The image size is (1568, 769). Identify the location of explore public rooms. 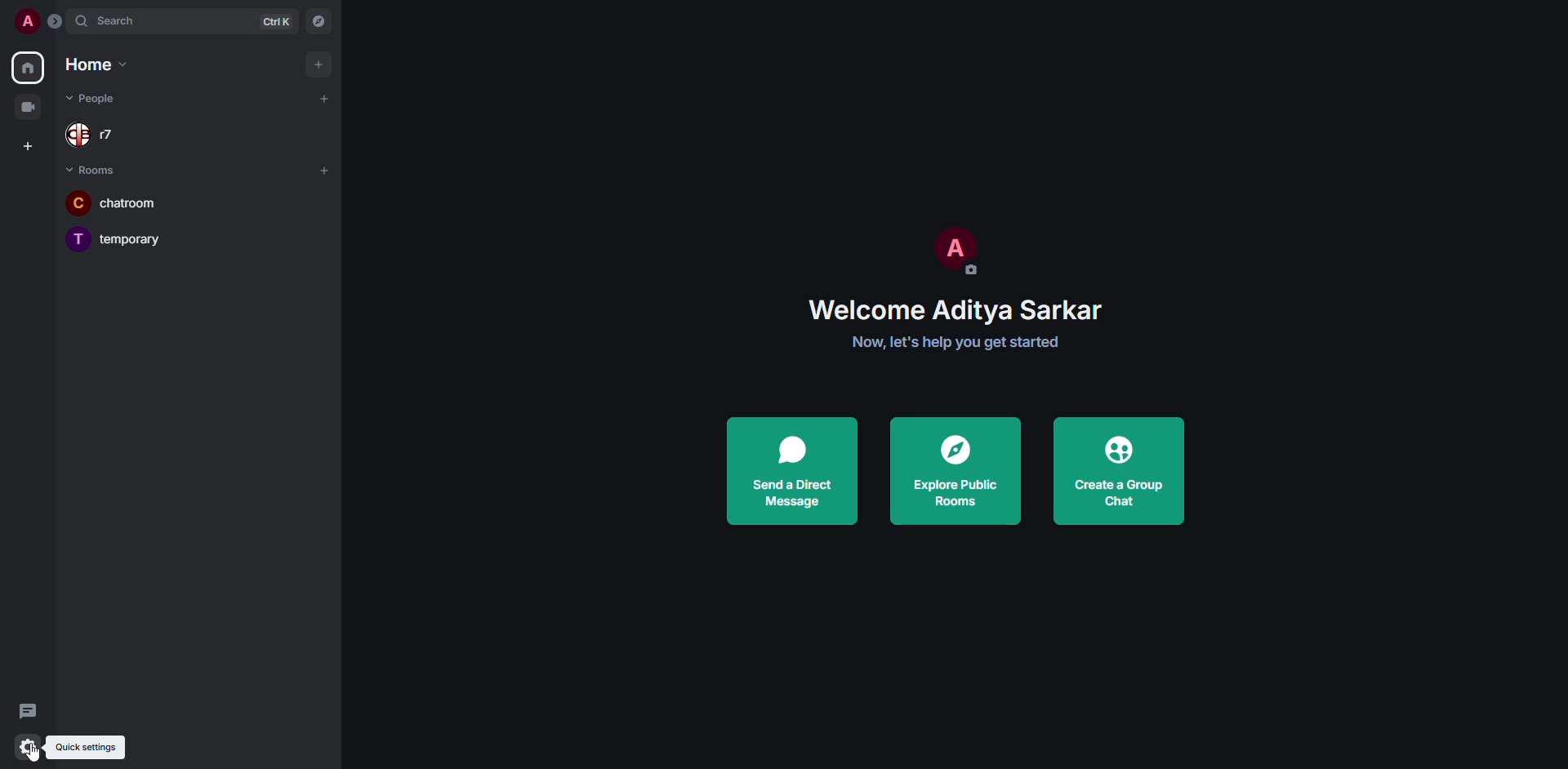
(956, 468).